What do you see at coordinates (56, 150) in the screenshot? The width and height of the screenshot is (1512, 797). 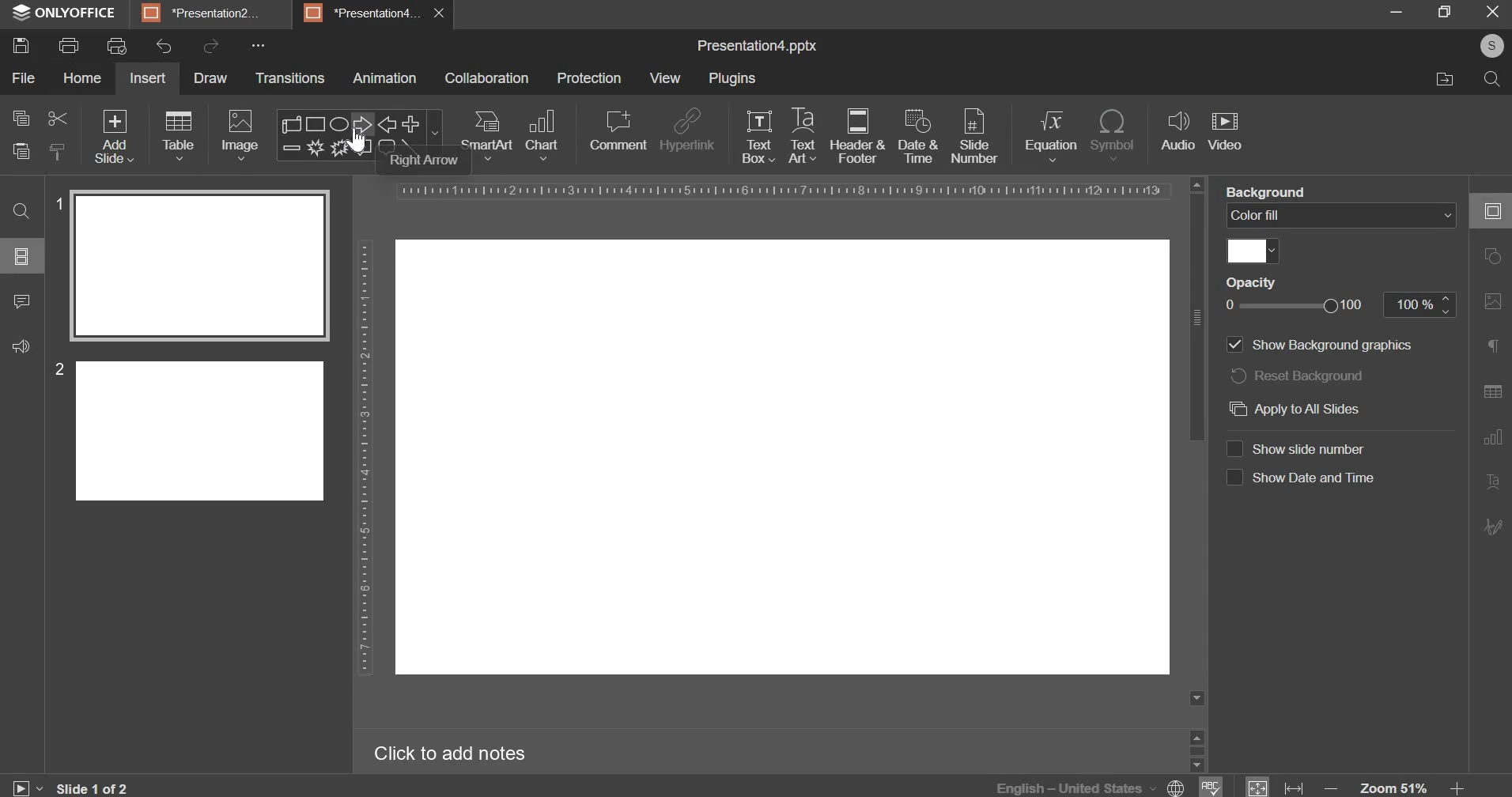 I see `copy stlye` at bounding box center [56, 150].